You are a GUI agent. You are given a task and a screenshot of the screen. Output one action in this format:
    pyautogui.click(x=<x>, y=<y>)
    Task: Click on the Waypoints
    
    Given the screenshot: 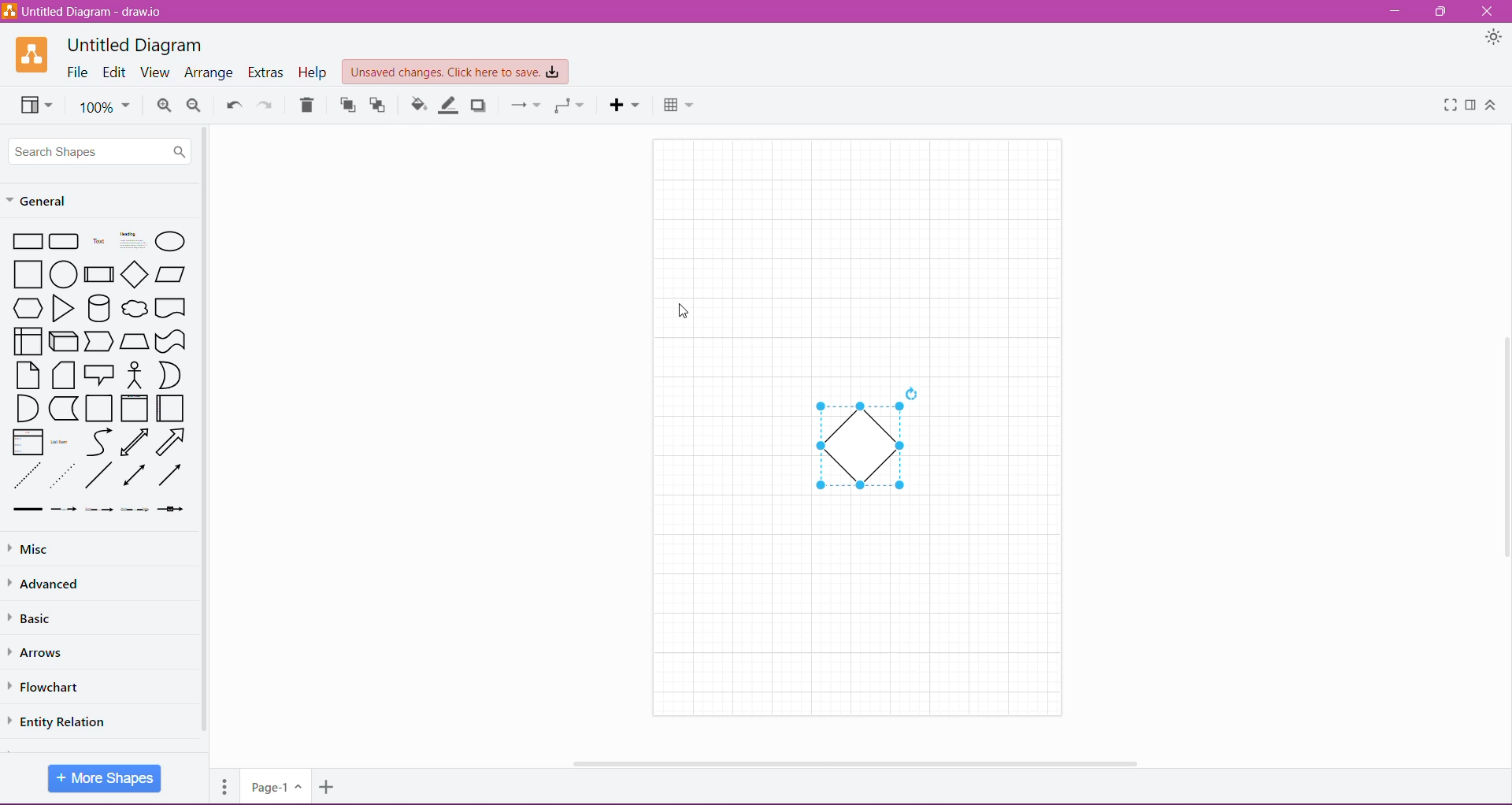 What is the action you would take?
    pyautogui.click(x=570, y=106)
    